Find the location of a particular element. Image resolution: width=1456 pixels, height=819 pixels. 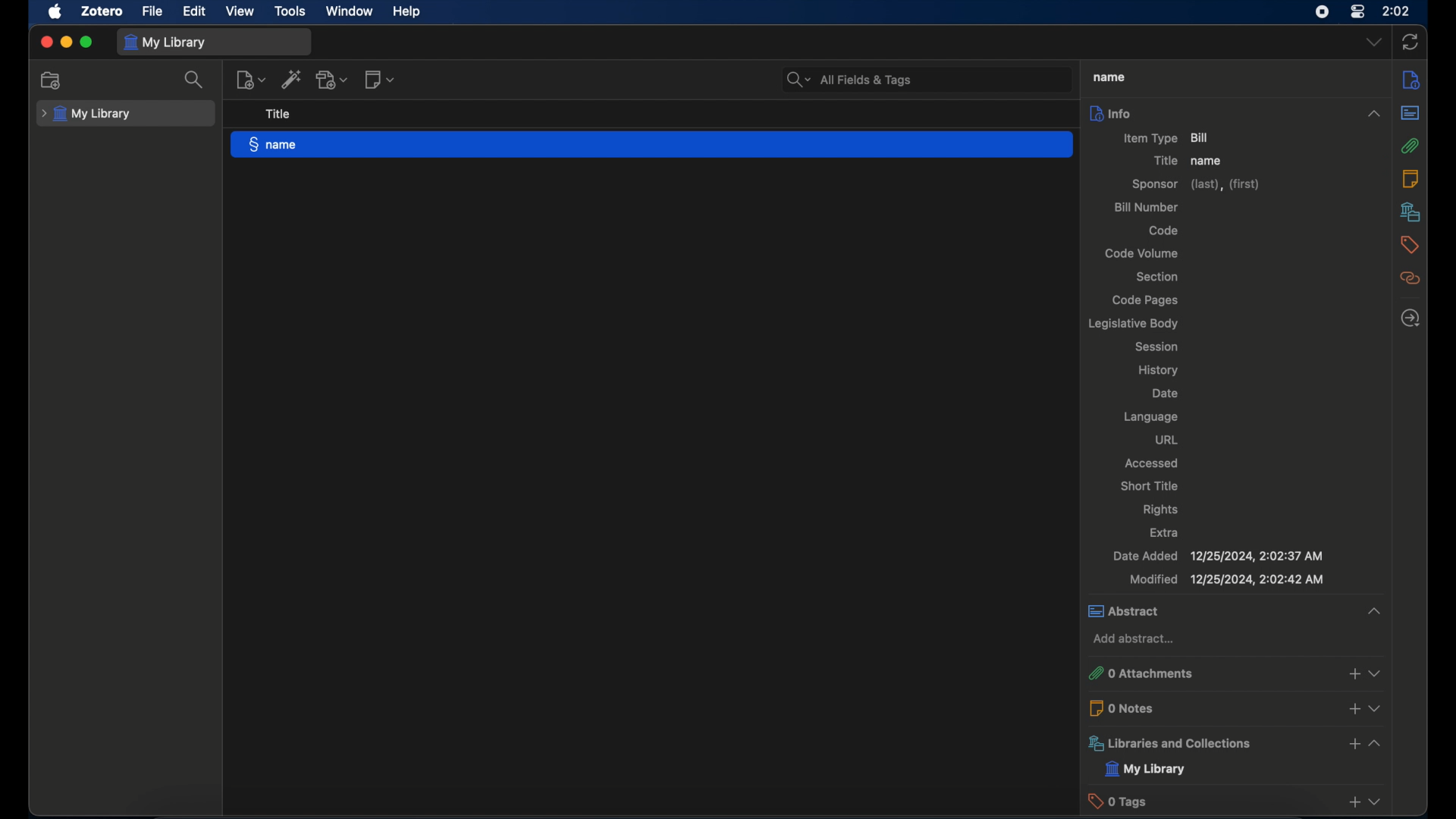

my library is located at coordinates (88, 114).